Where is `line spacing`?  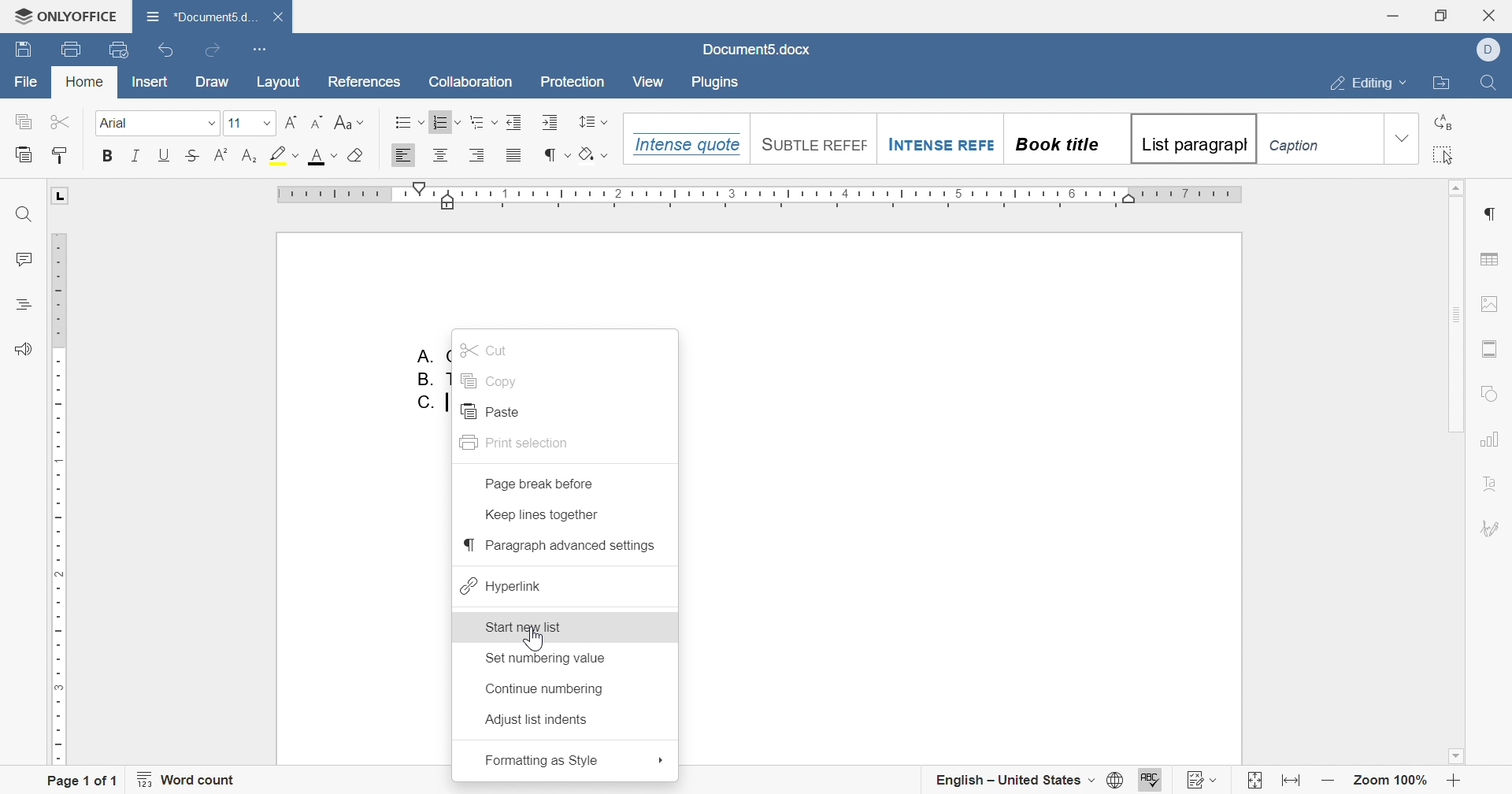 line spacing is located at coordinates (594, 121).